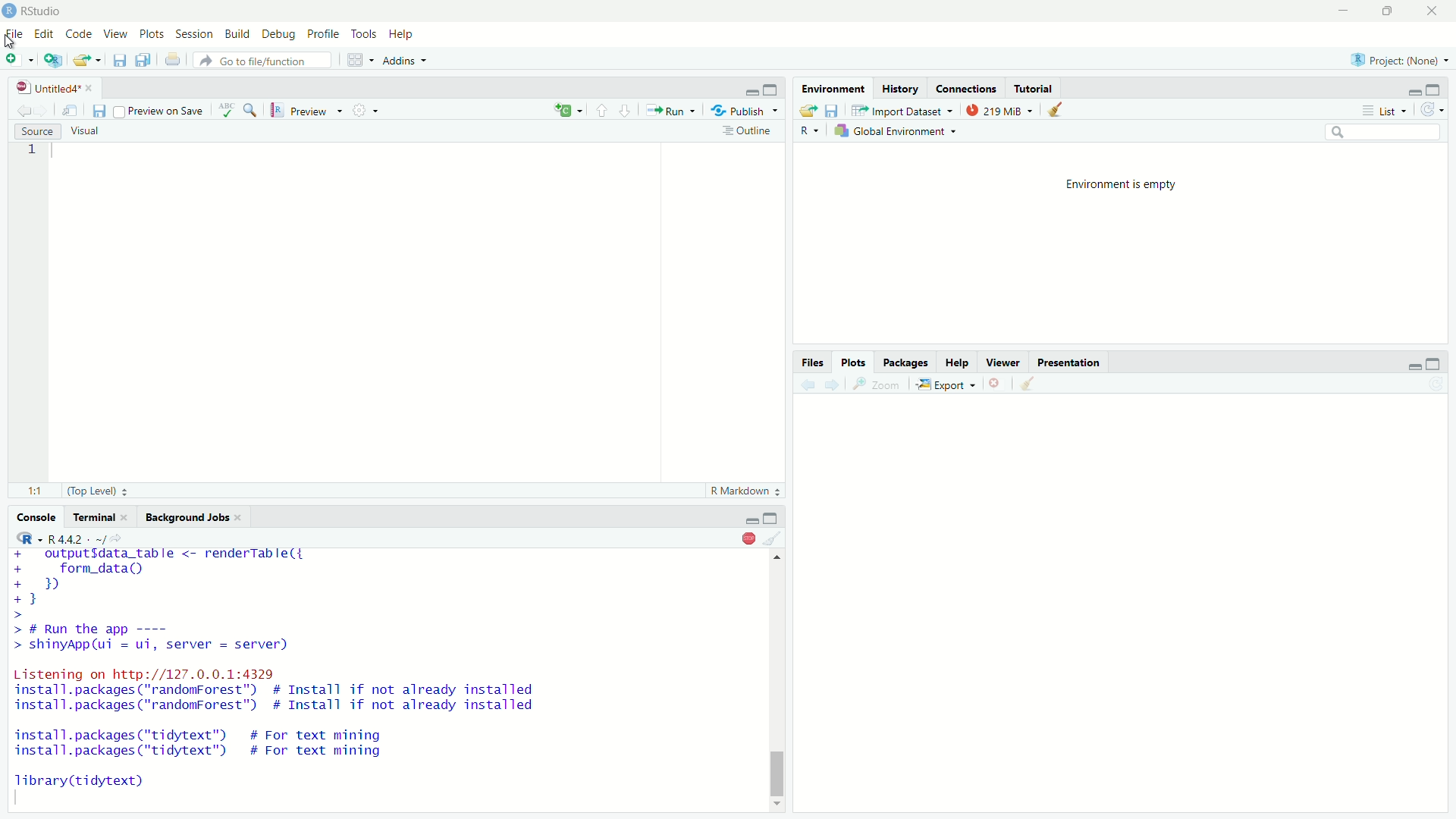 The image size is (1456, 819). Describe the element at coordinates (86, 132) in the screenshot. I see `Visual` at that location.